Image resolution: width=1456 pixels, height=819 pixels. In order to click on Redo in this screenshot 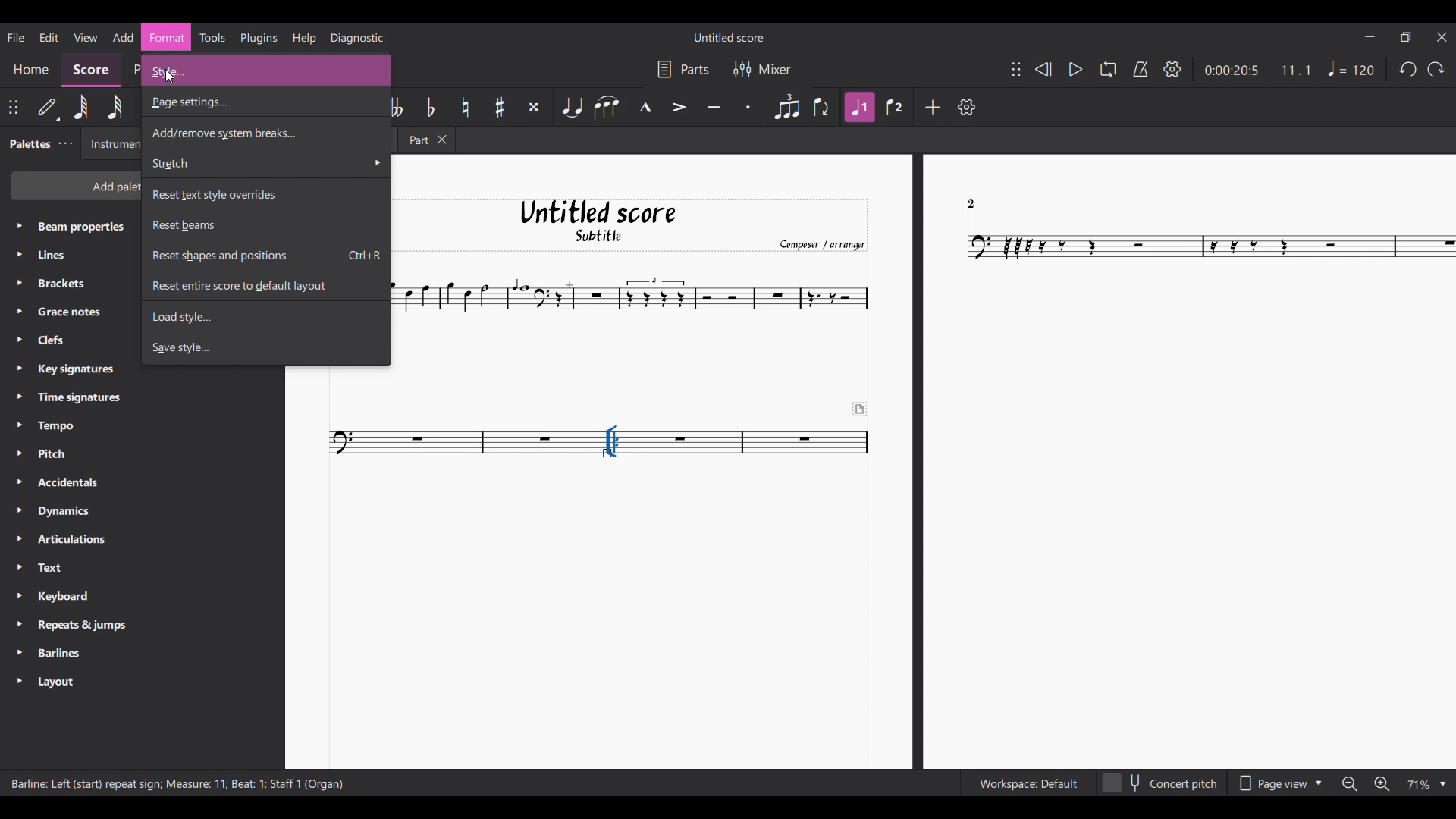, I will do `click(1436, 69)`.